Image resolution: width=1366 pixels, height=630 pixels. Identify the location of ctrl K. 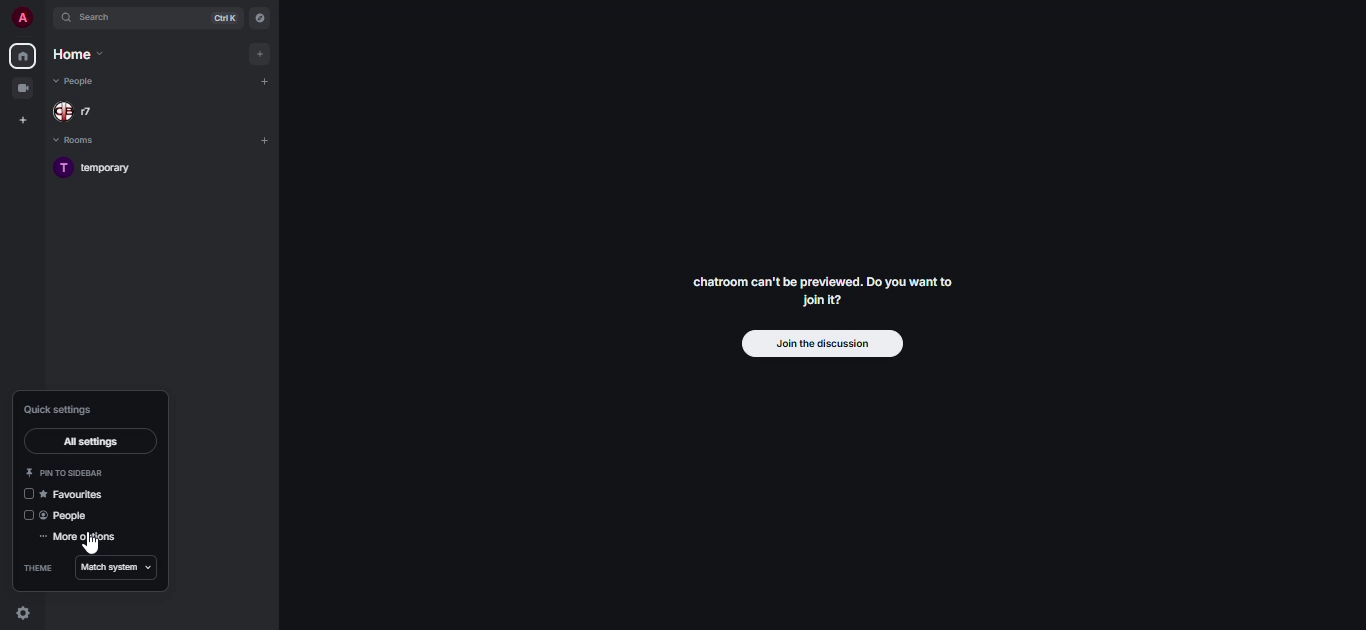
(220, 18).